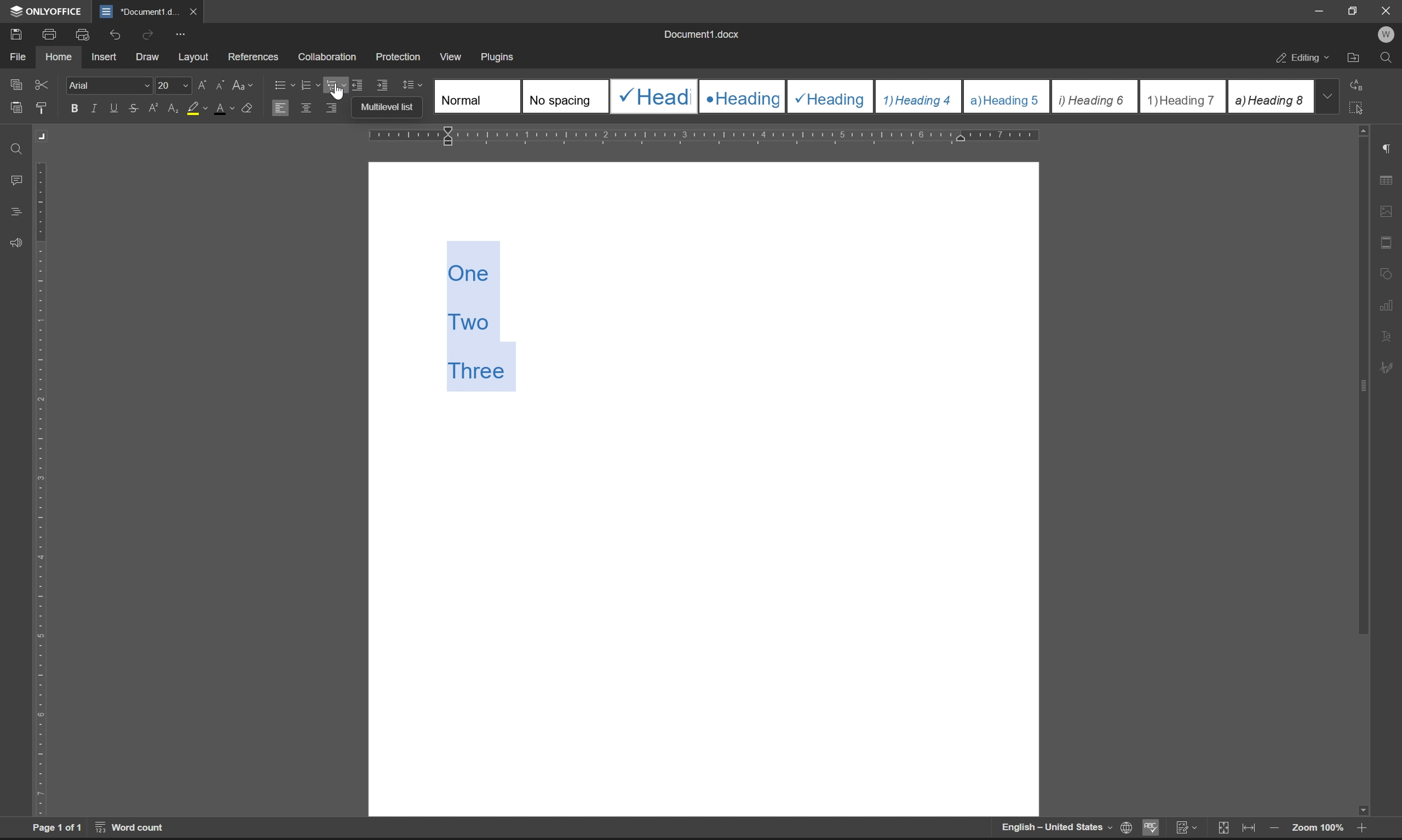 This screenshot has width=1402, height=840. I want to click on shape settings, so click(1386, 271).